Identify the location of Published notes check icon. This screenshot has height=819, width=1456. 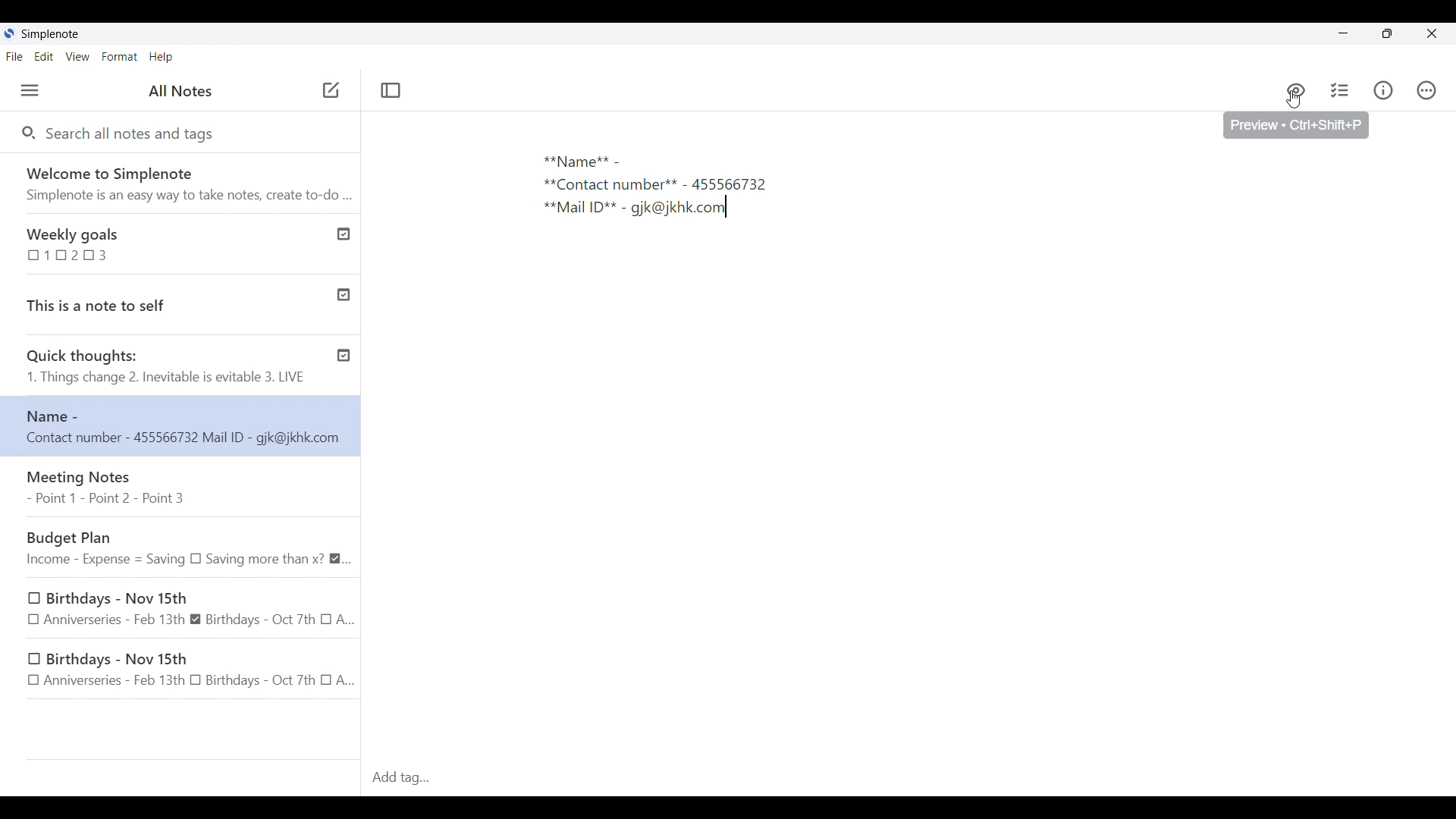
(344, 292).